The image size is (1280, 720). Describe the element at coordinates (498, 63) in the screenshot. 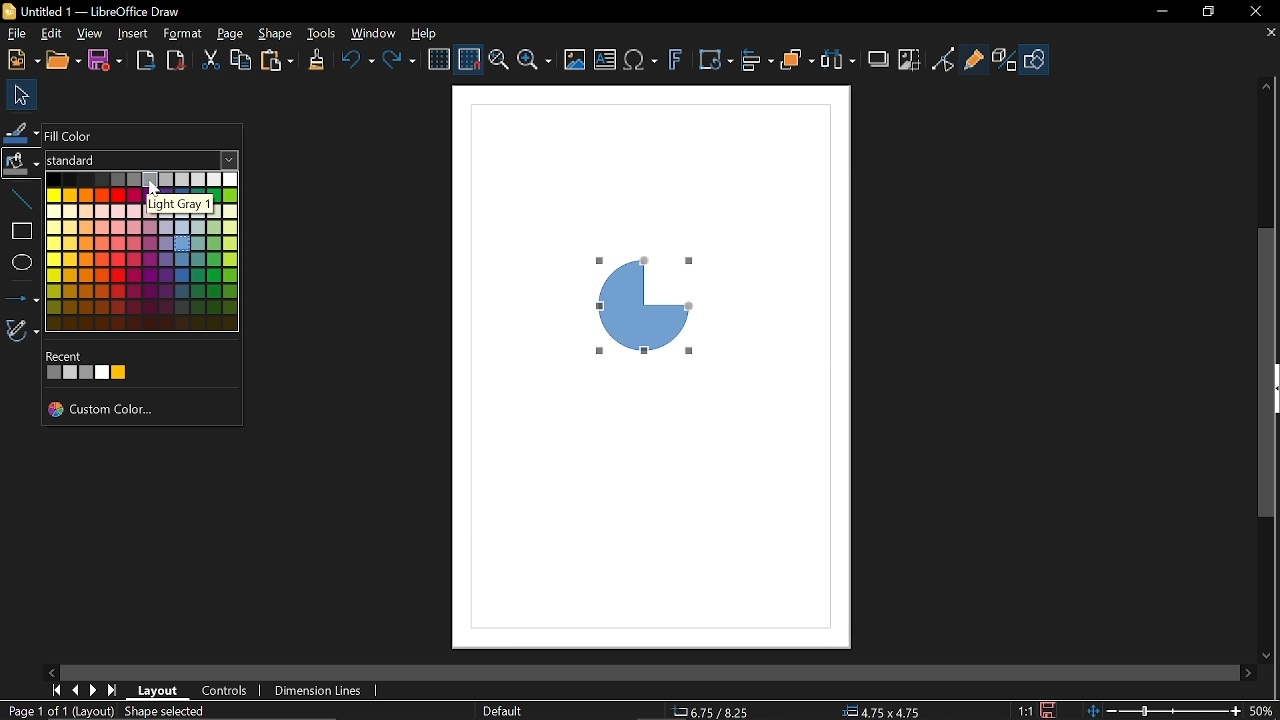

I see `Zoom and pan` at that location.